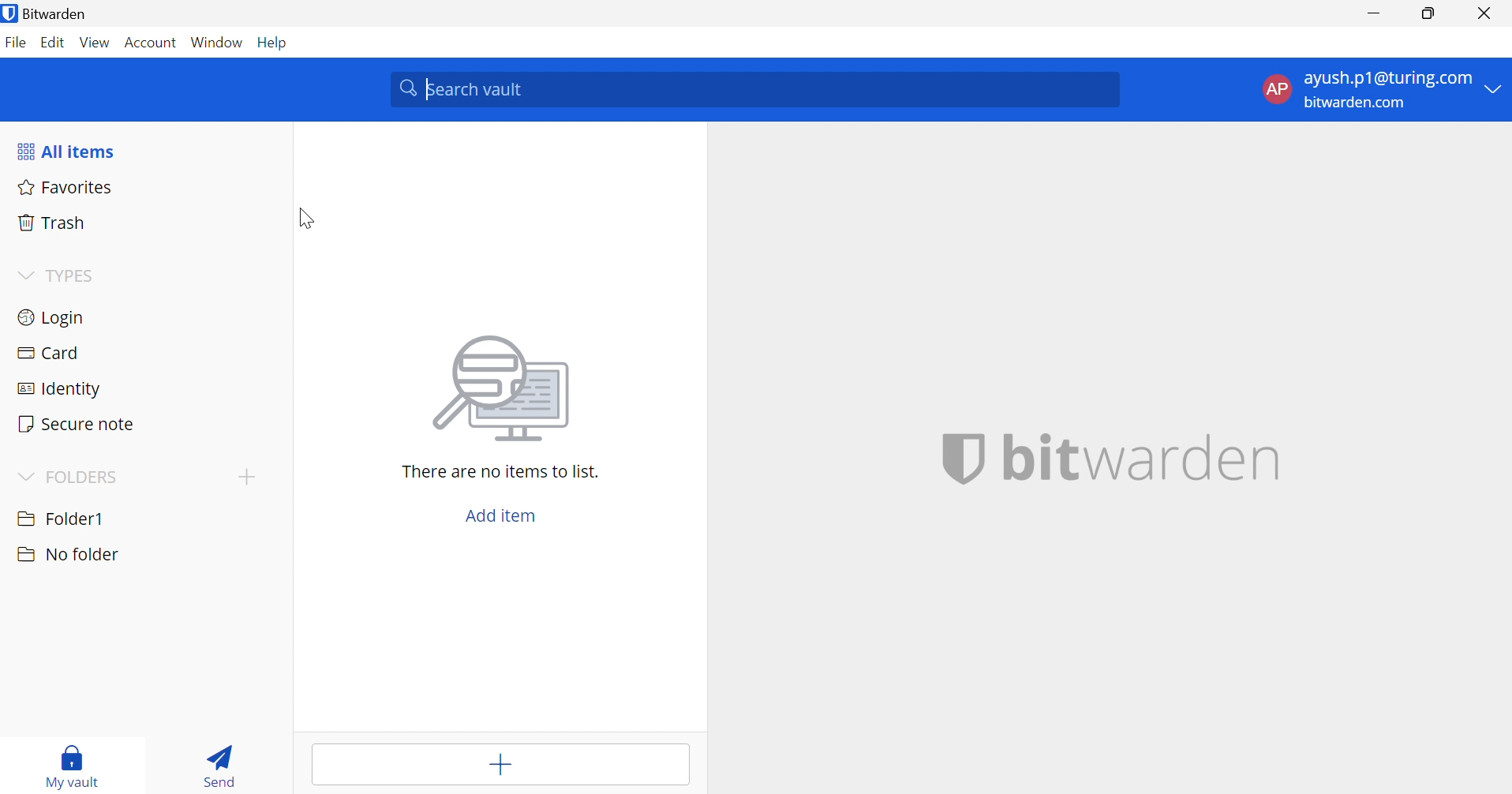  Describe the element at coordinates (151, 43) in the screenshot. I see `Account` at that location.